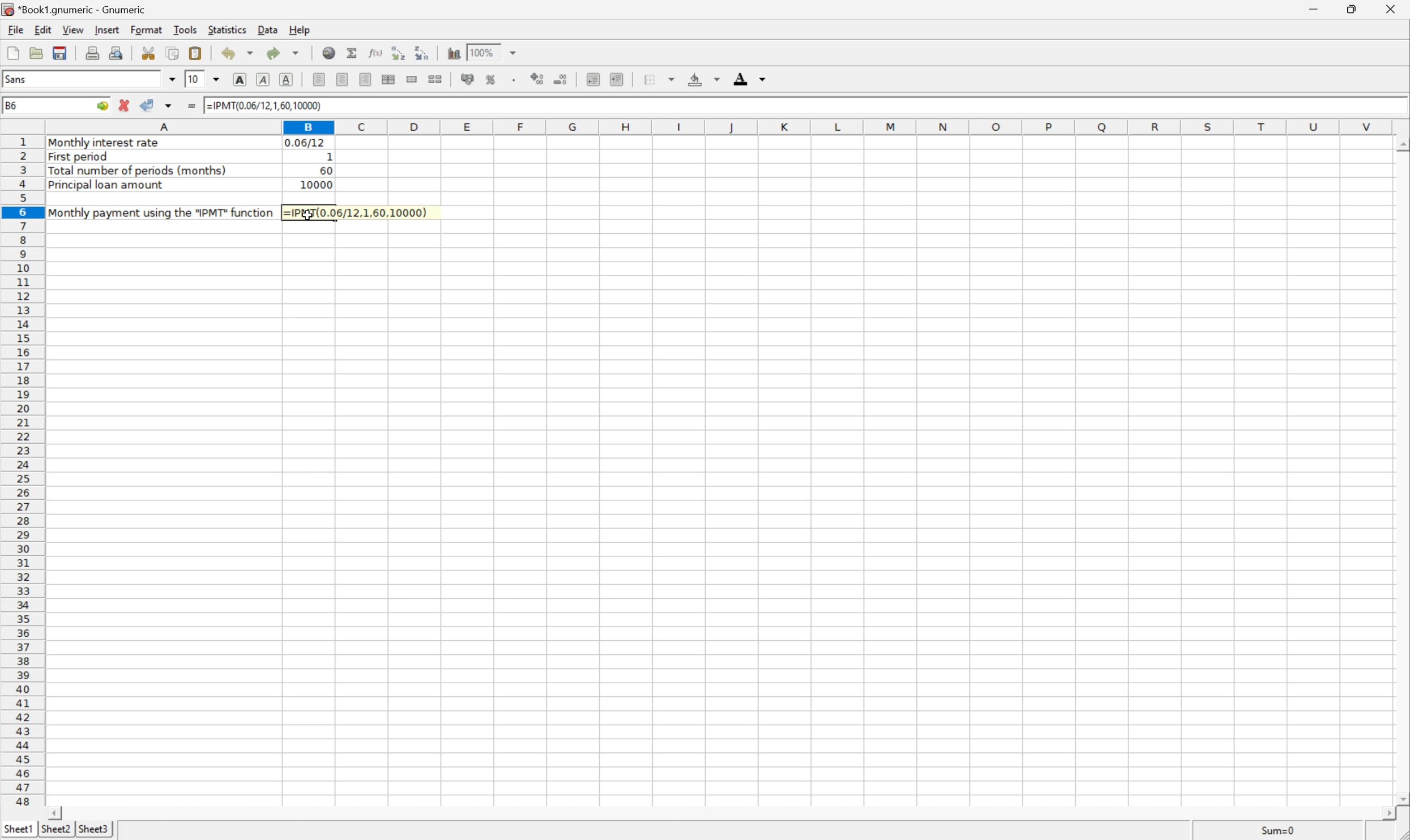 The width and height of the screenshot is (1410, 840). What do you see at coordinates (148, 52) in the screenshot?
I see `Cut selection` at bounding box center [148, 52].